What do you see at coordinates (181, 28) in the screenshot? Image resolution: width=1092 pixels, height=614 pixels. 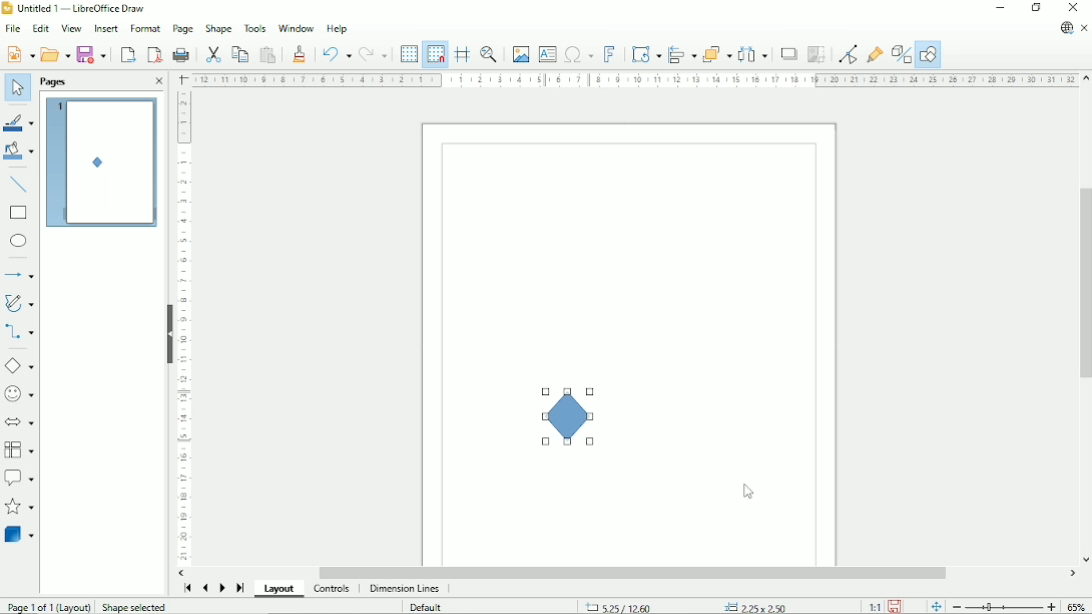 I see `Page` at bounding box center [181, 28].